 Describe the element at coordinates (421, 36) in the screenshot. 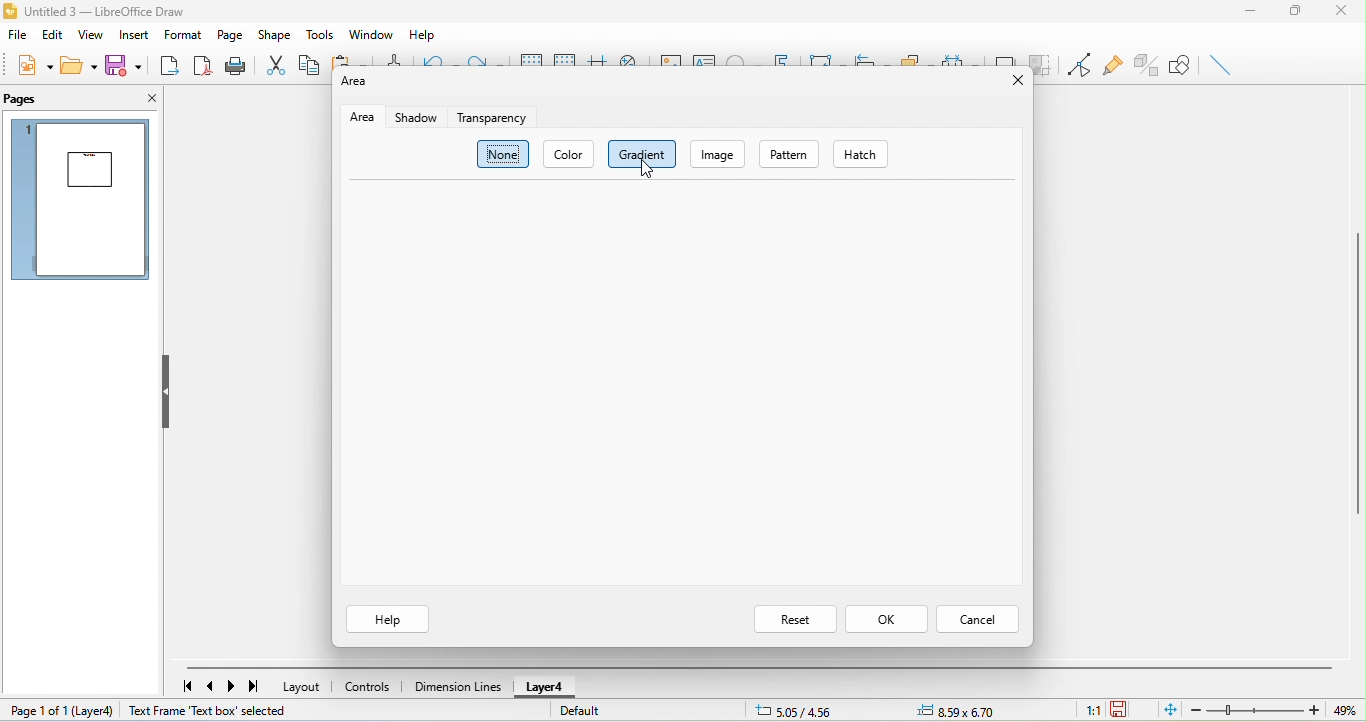

I see `help` at that location.